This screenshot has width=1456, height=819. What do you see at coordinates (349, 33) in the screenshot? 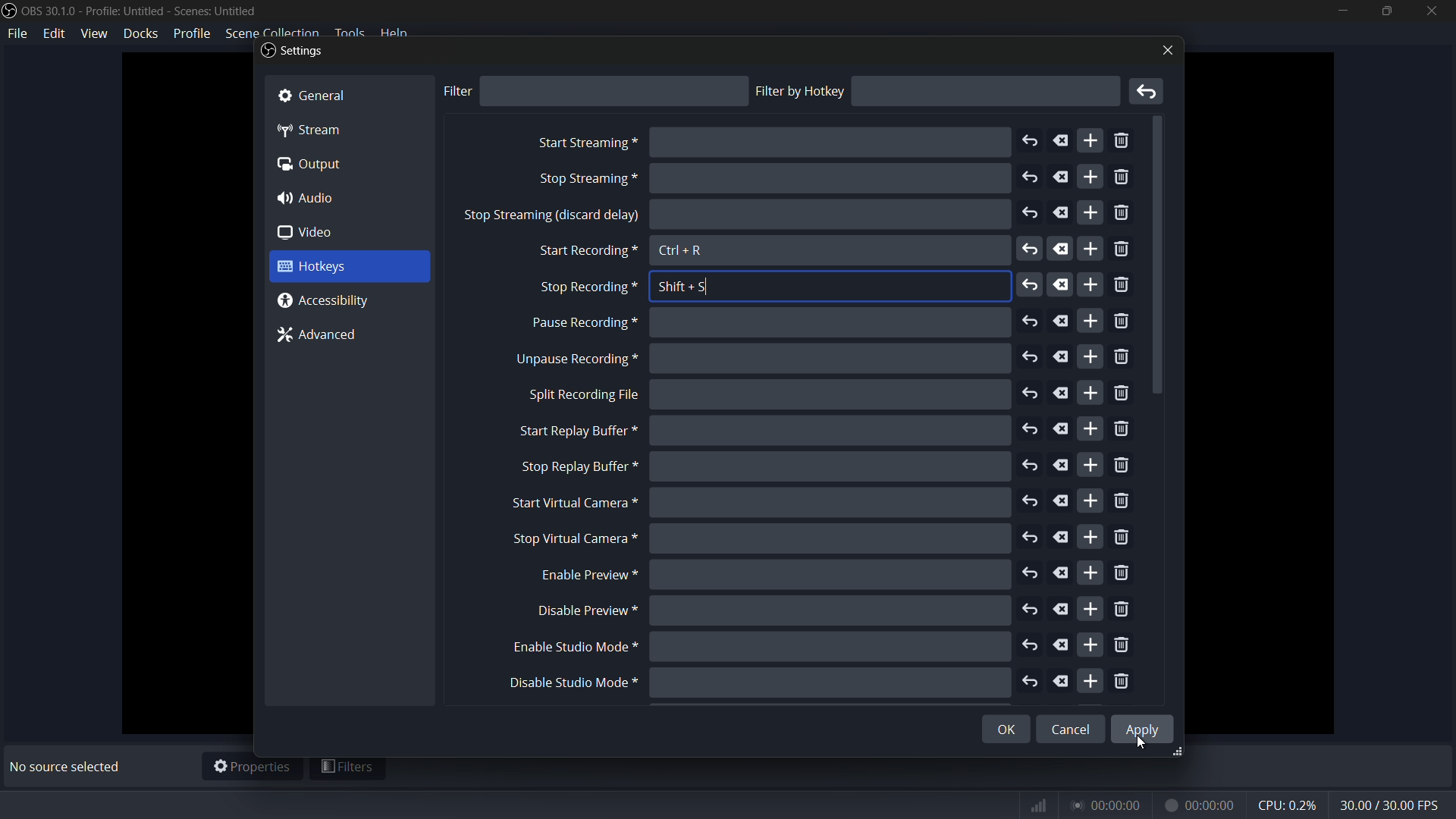
I see `tools menu` at bounding box center [349, 33].